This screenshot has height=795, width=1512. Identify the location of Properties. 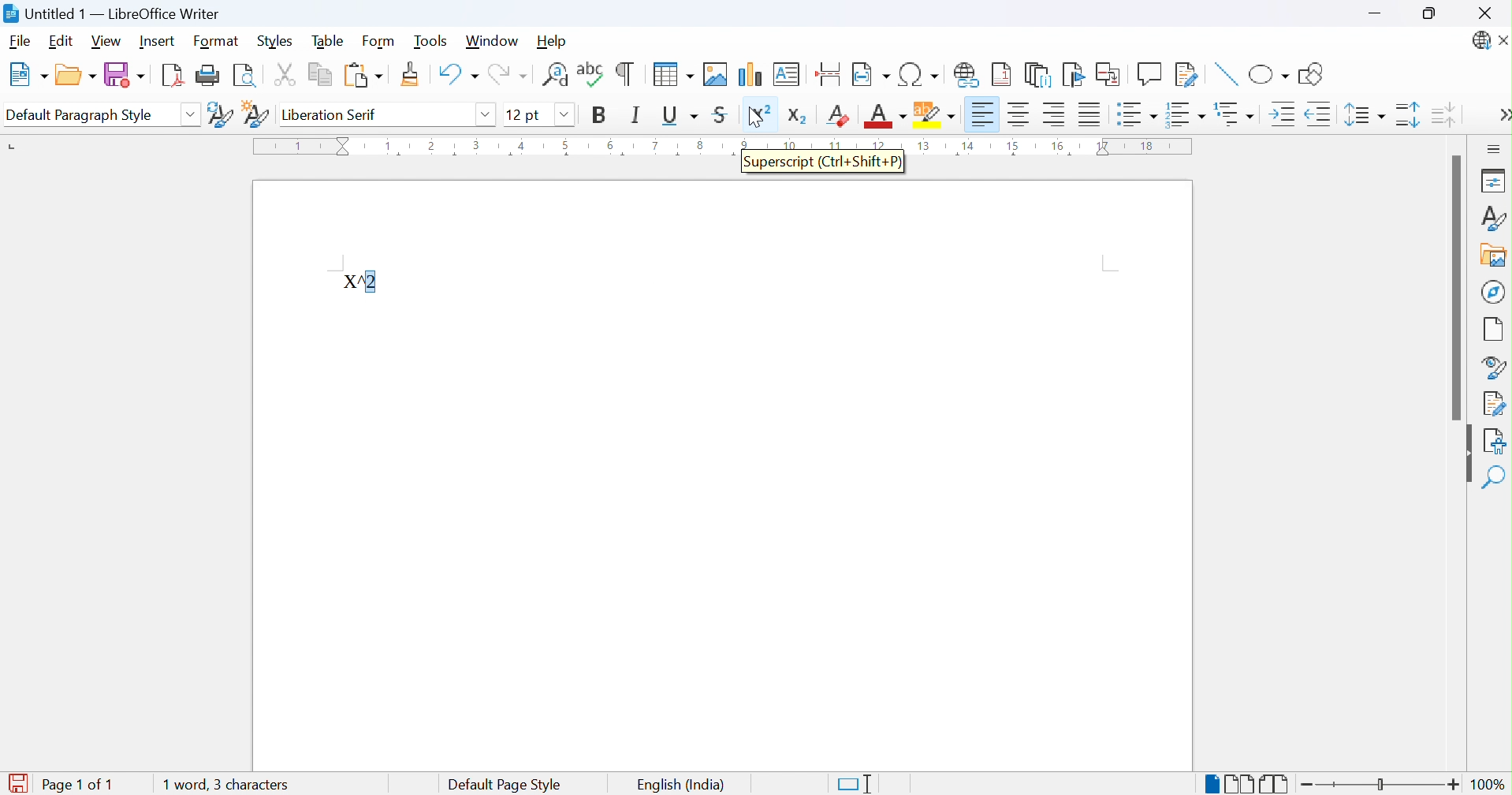
(1495, 182).